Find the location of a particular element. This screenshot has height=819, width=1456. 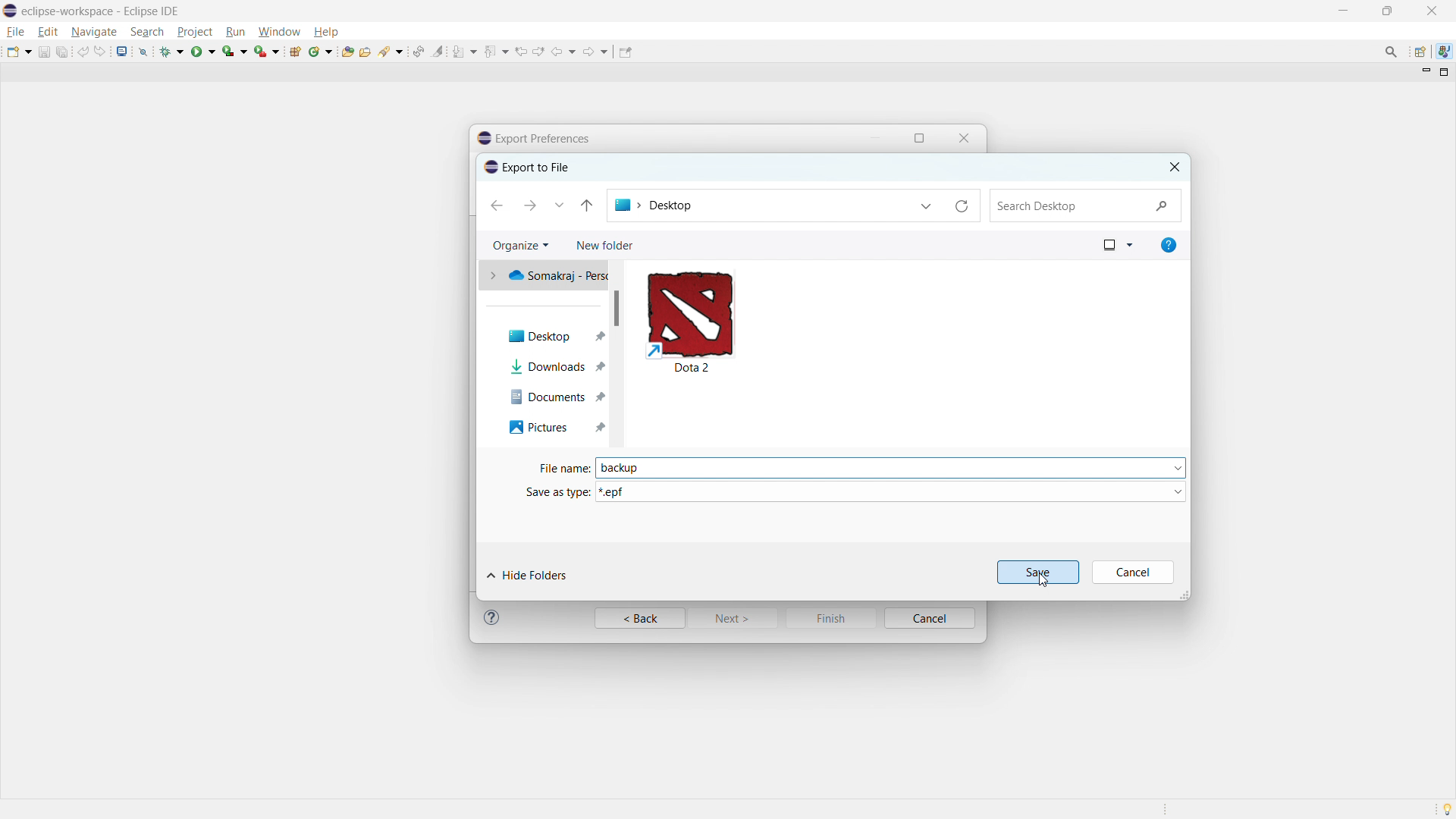

pin editor is located at coordinates (624, 52).